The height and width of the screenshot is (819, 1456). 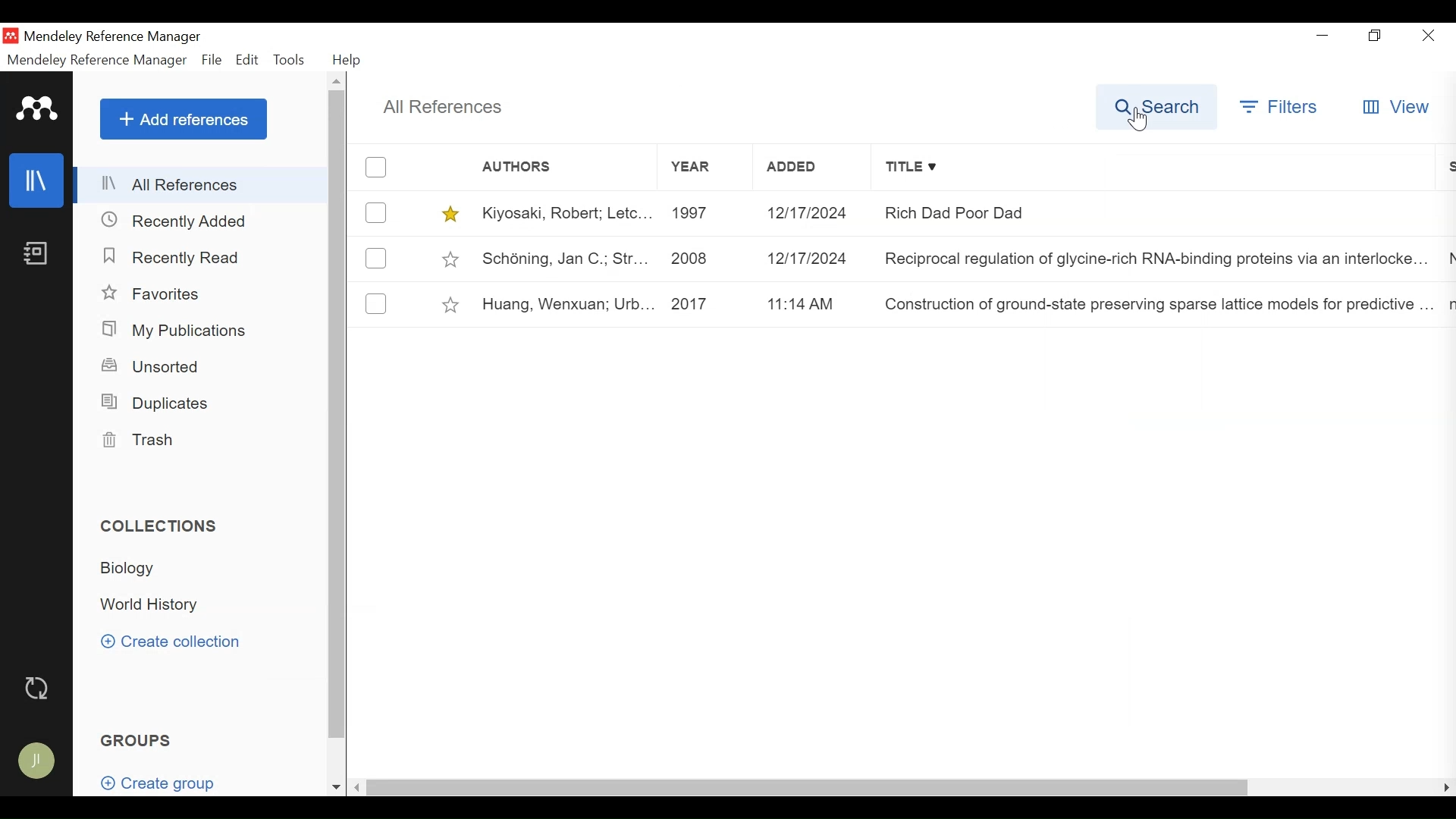 What do you see at coordinates (1375, 36) in the screenshot?
I see `Restore` at bounding box center [1375, 36].